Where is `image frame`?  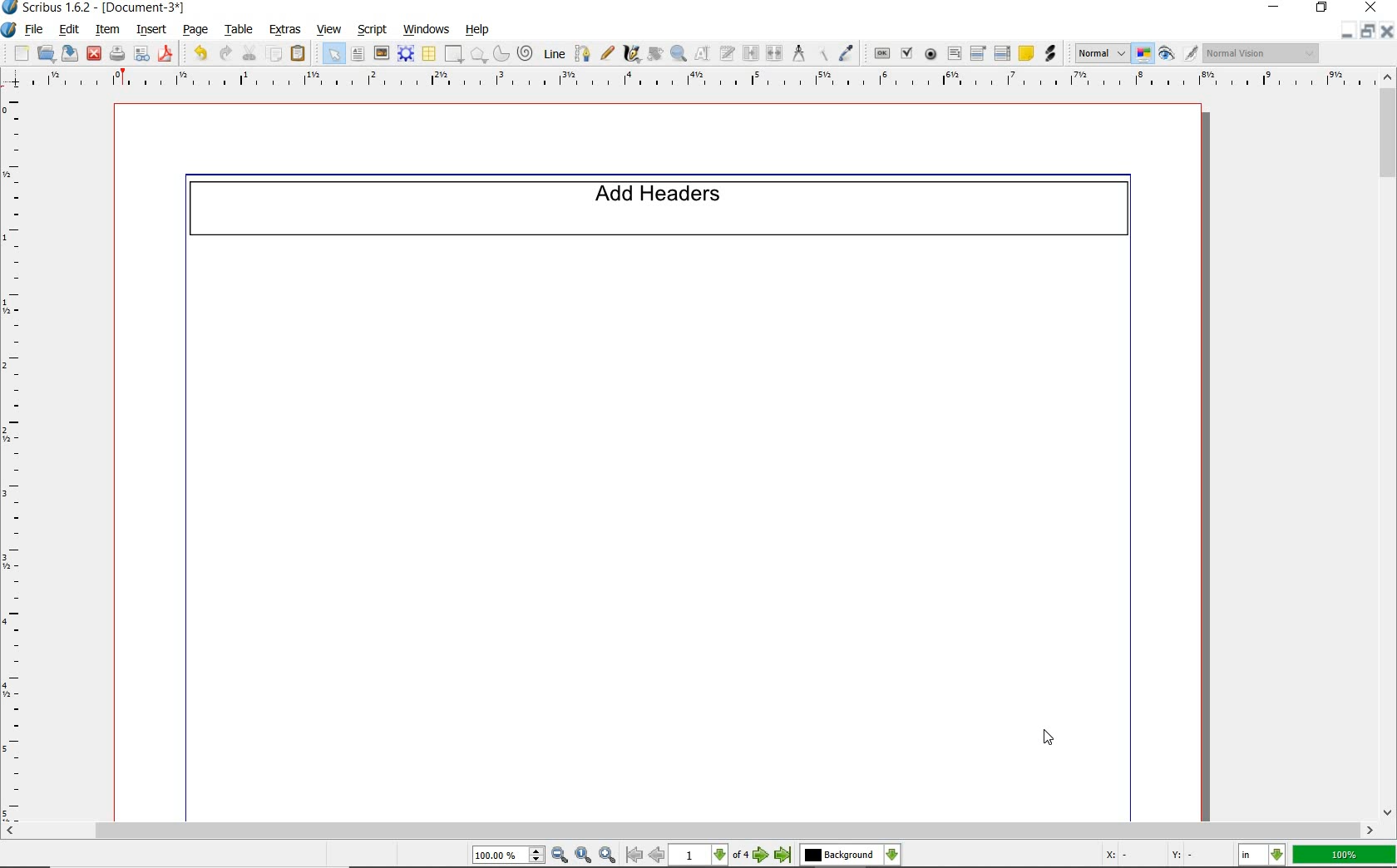 image frame is located at coordinates (382, 54).